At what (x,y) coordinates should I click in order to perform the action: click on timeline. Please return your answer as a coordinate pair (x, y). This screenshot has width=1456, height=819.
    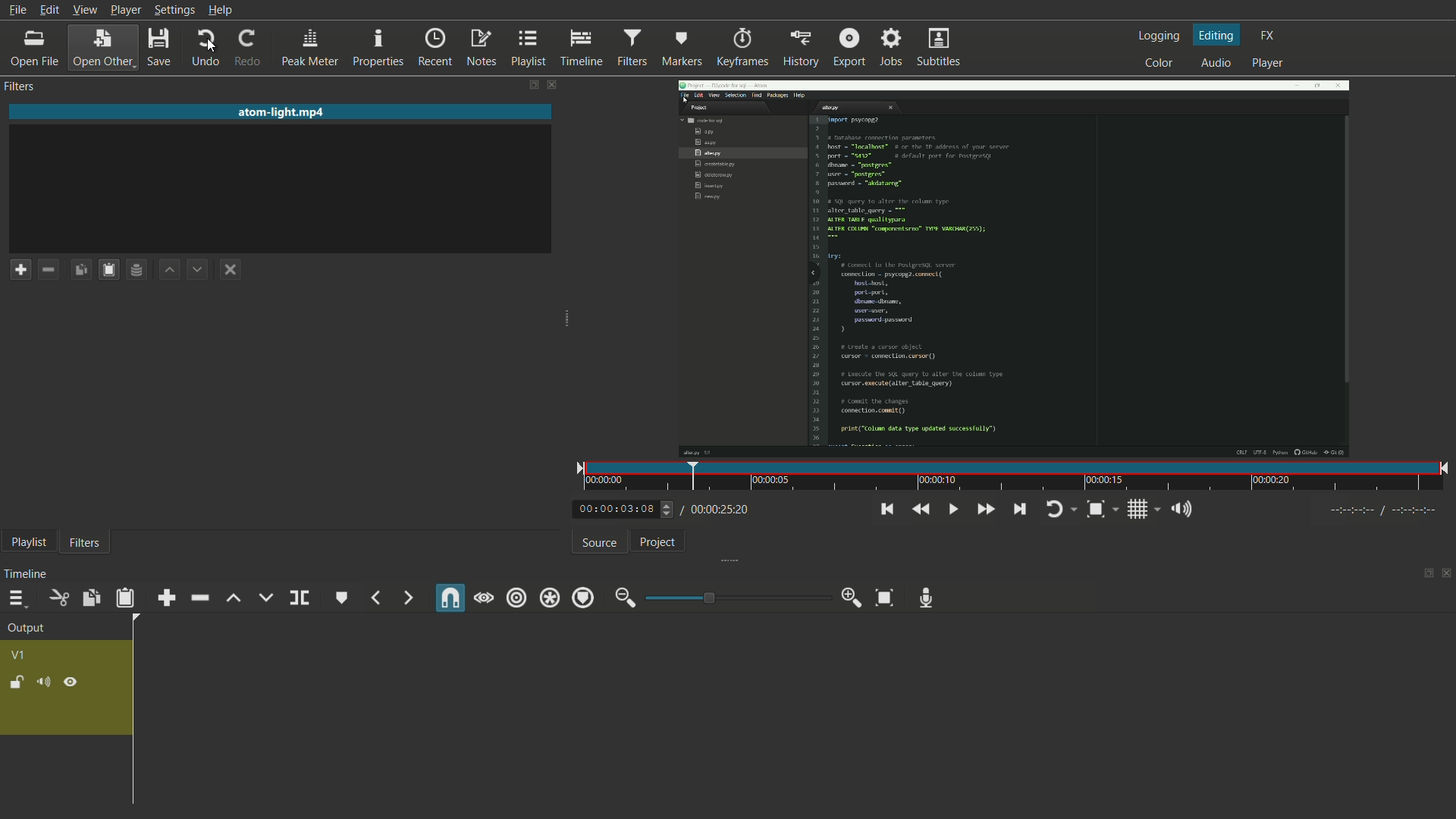
    Looking at the image, I should click on (582, 49).